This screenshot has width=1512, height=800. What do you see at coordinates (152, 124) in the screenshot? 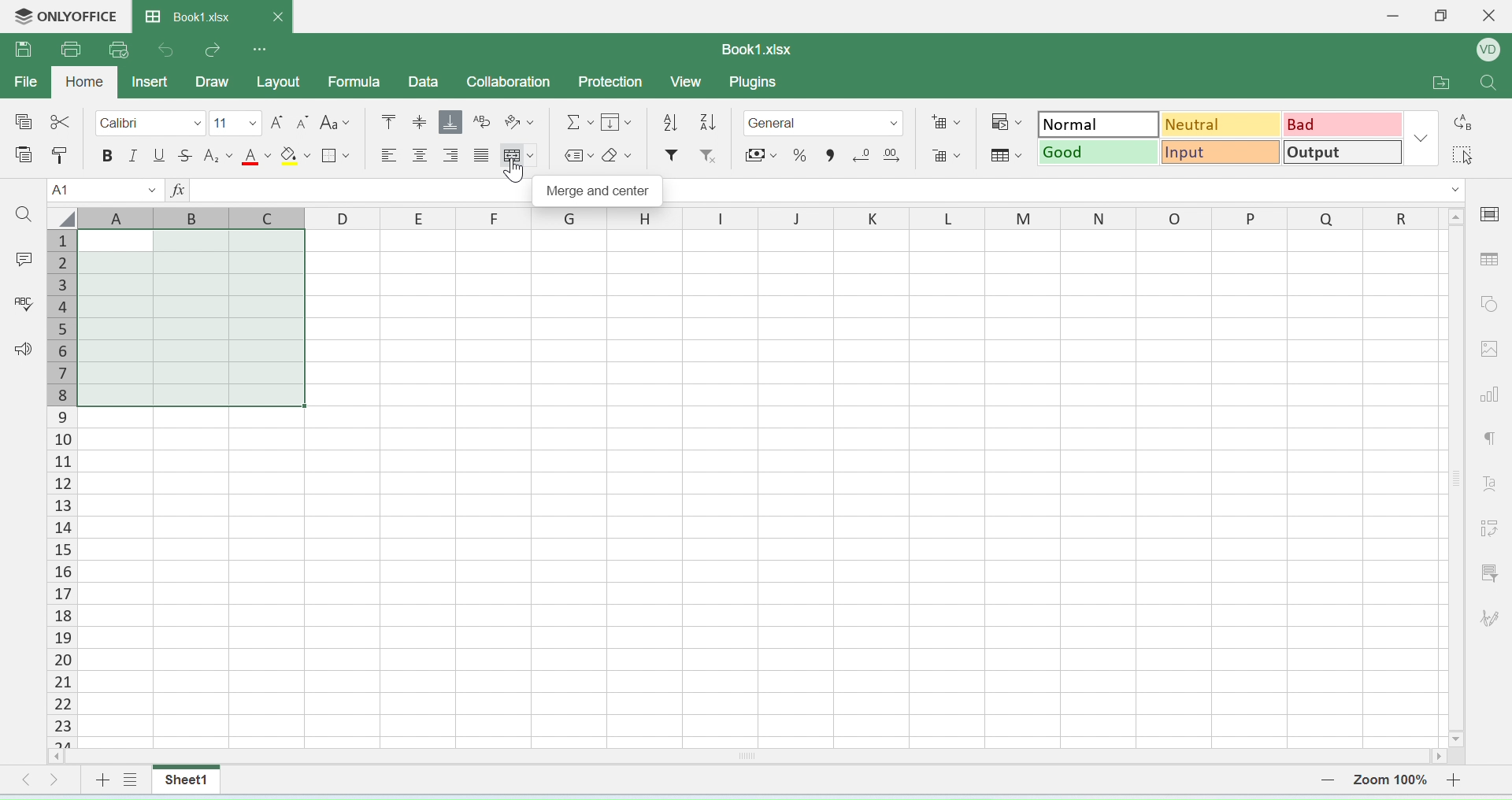
I see `calibri` at bounding box center [152, 124].